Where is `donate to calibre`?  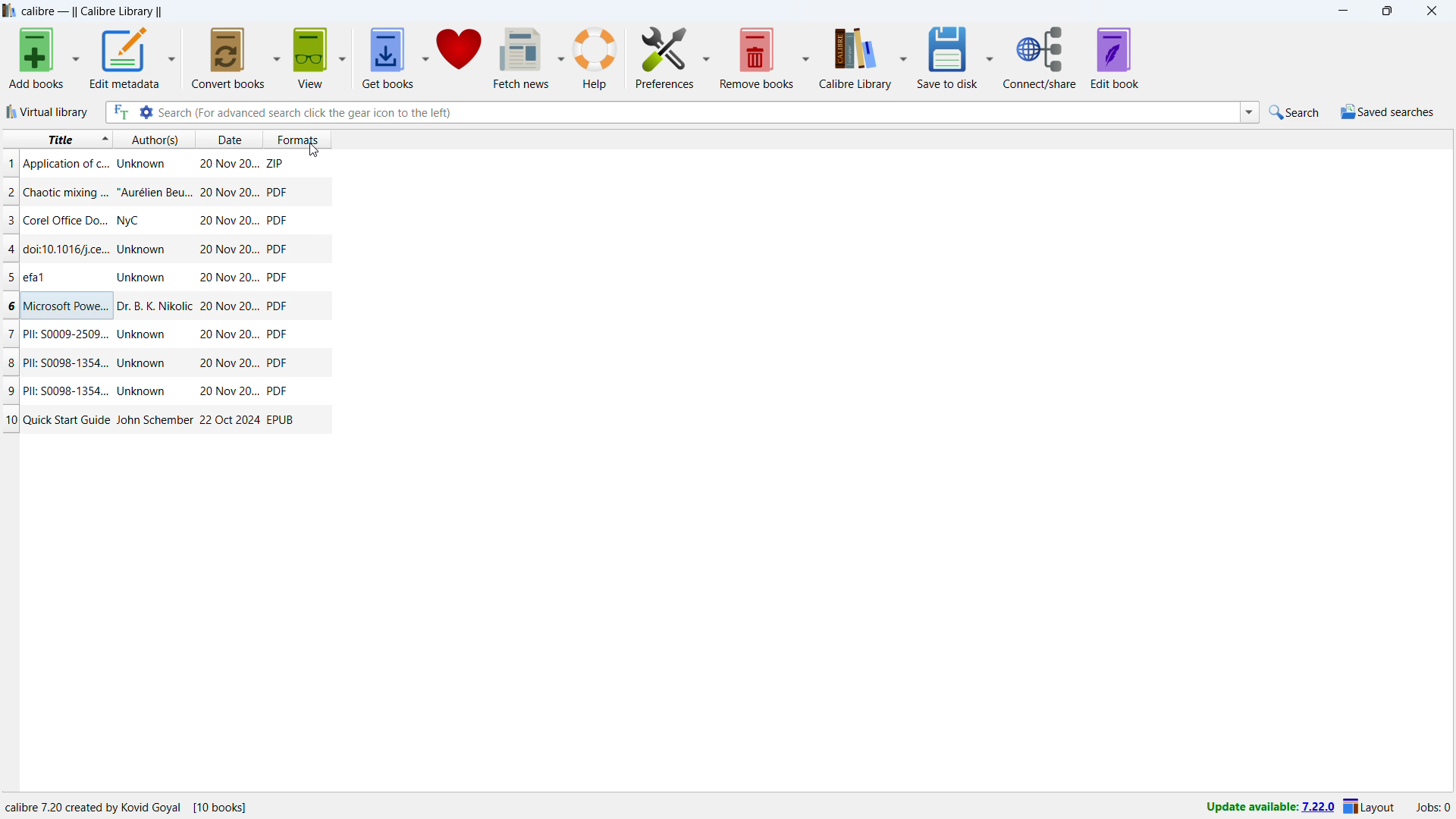 donate to calibre is located at coordinates (460, 57).